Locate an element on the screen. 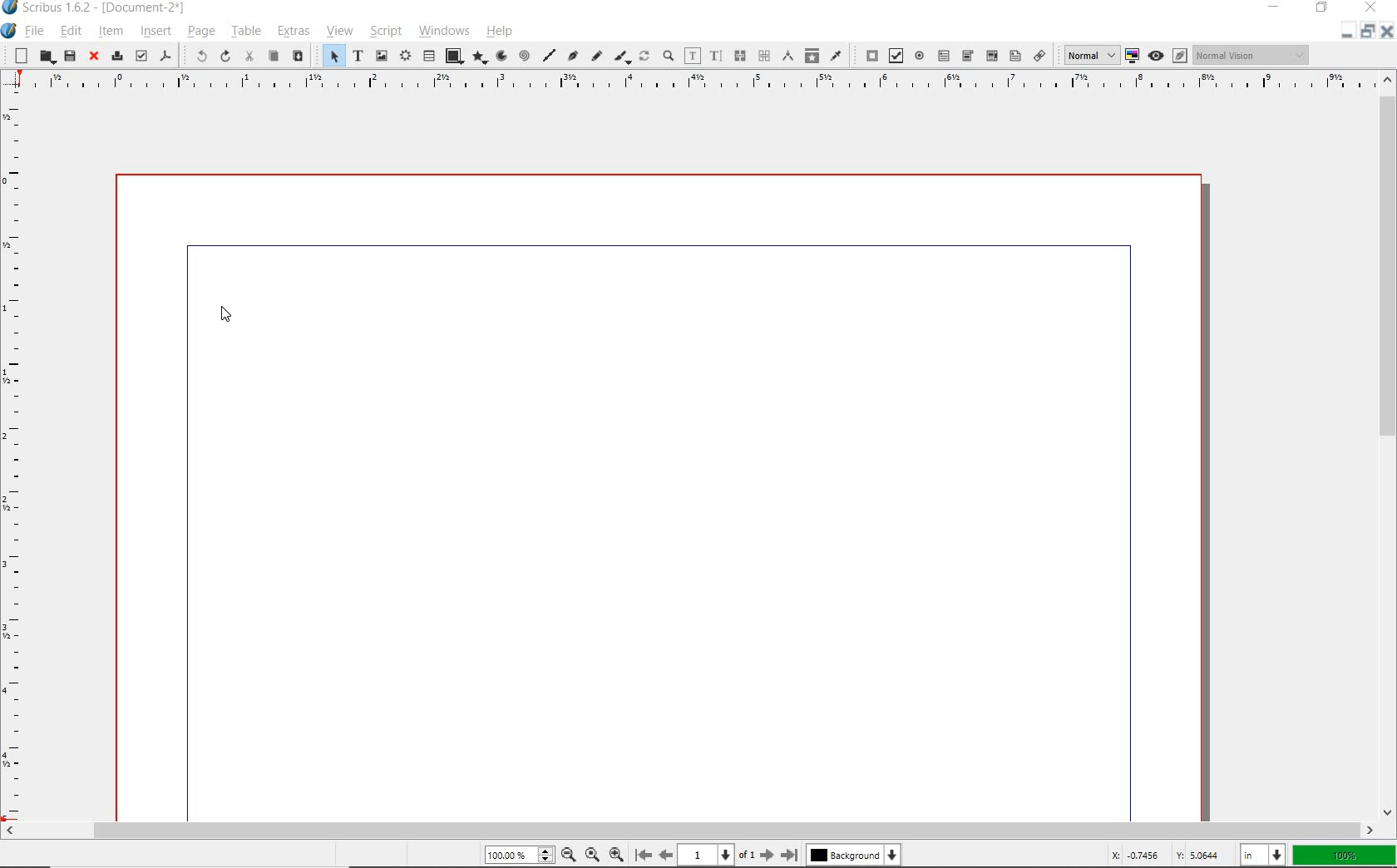  copy is located at coordinates (273, 57).